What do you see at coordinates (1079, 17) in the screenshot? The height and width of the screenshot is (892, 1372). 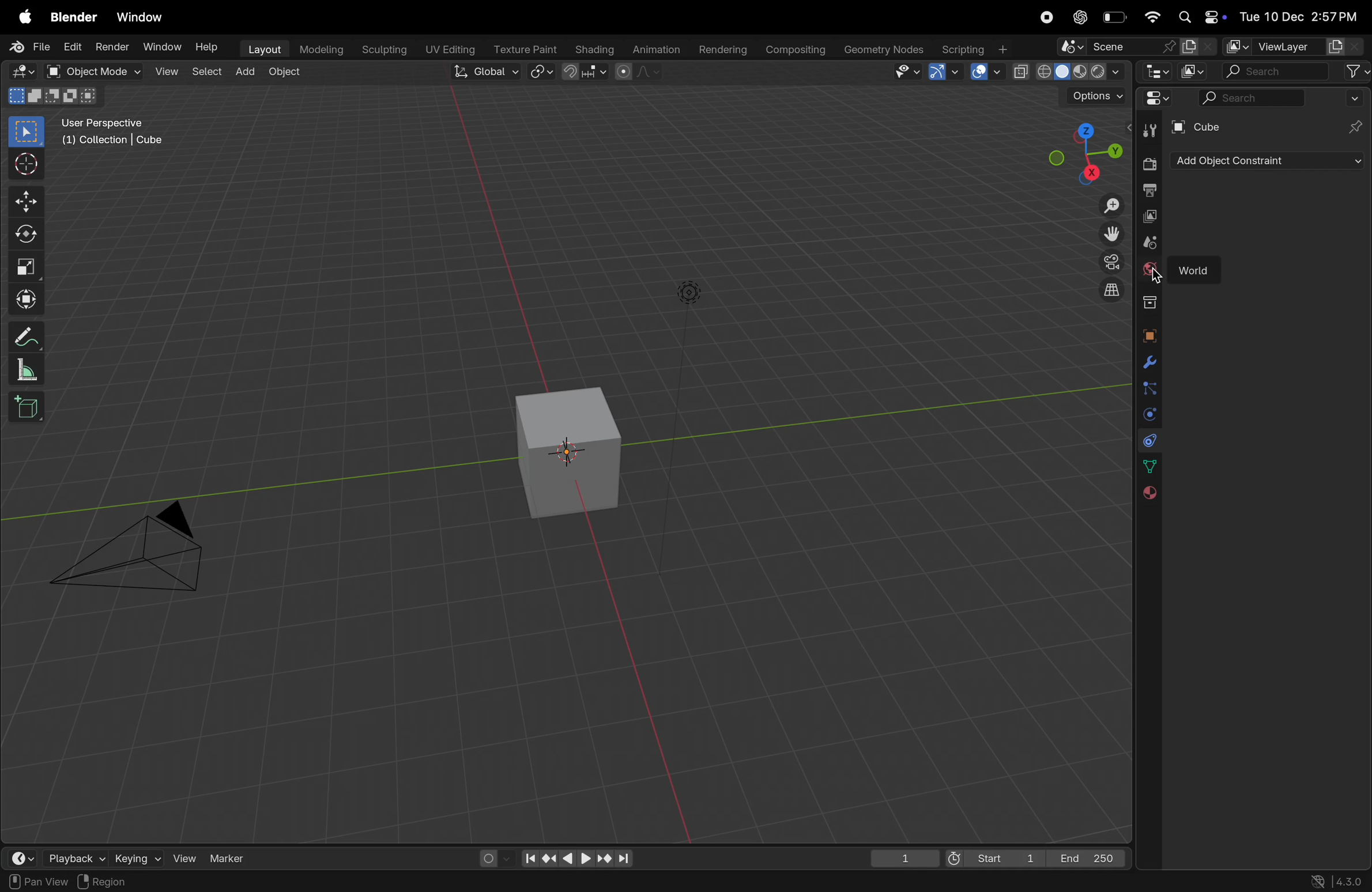 I see `Chatgpt` at bounding box center [1079, 17].